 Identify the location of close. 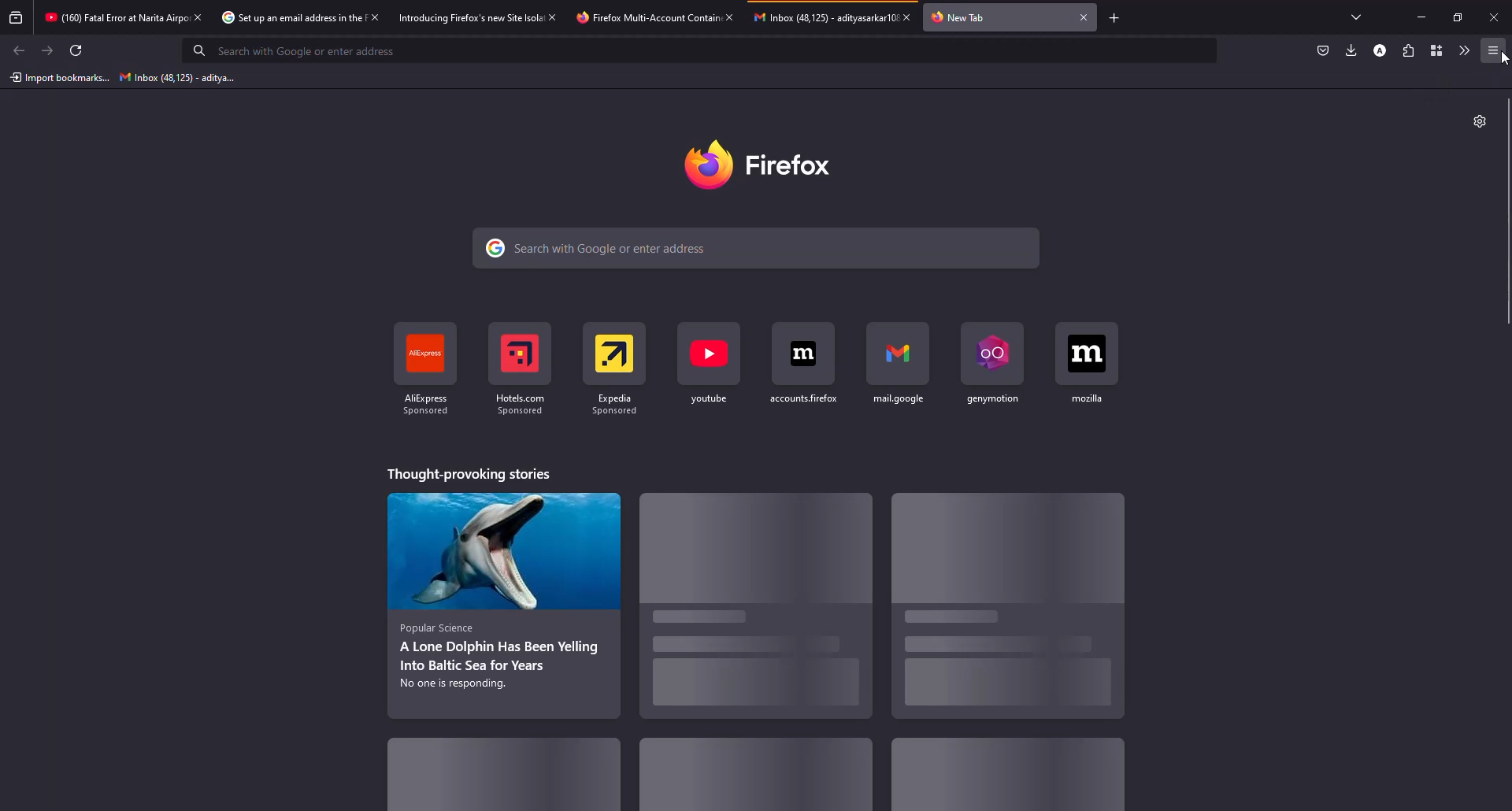
(728, 17).